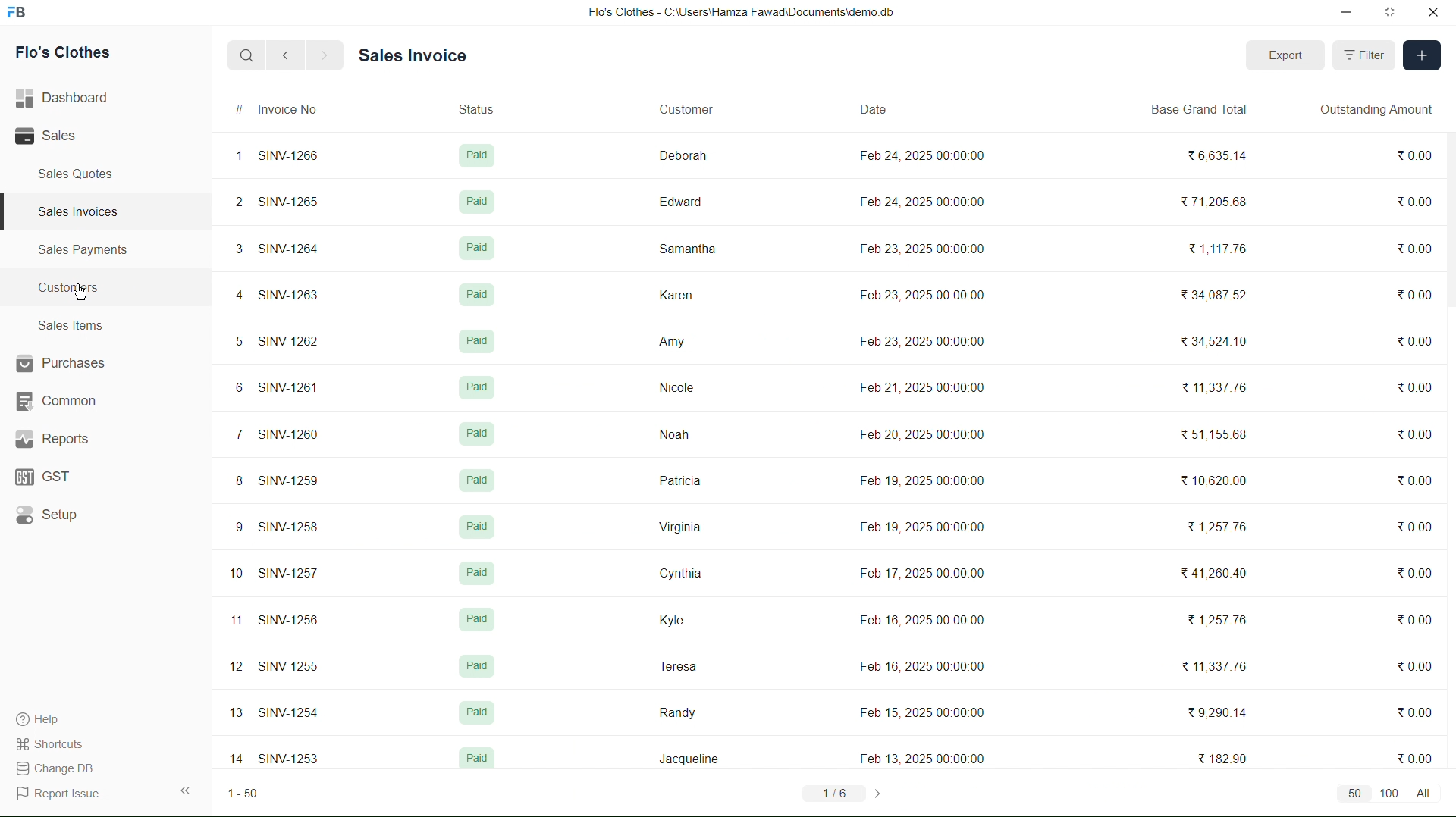 This screenshot has width=1456, height=817. Describe the element at coordinates (1218, 390) in the screenshot. I see `11,337.76` at that location.